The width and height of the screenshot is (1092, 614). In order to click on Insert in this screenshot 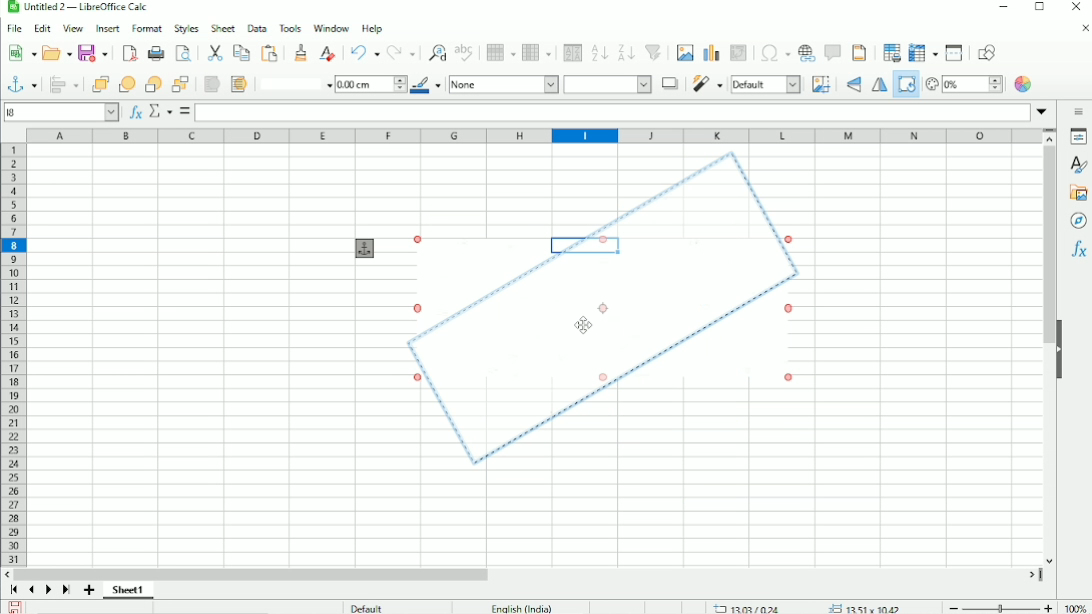, I will do `click(106, 28)`.